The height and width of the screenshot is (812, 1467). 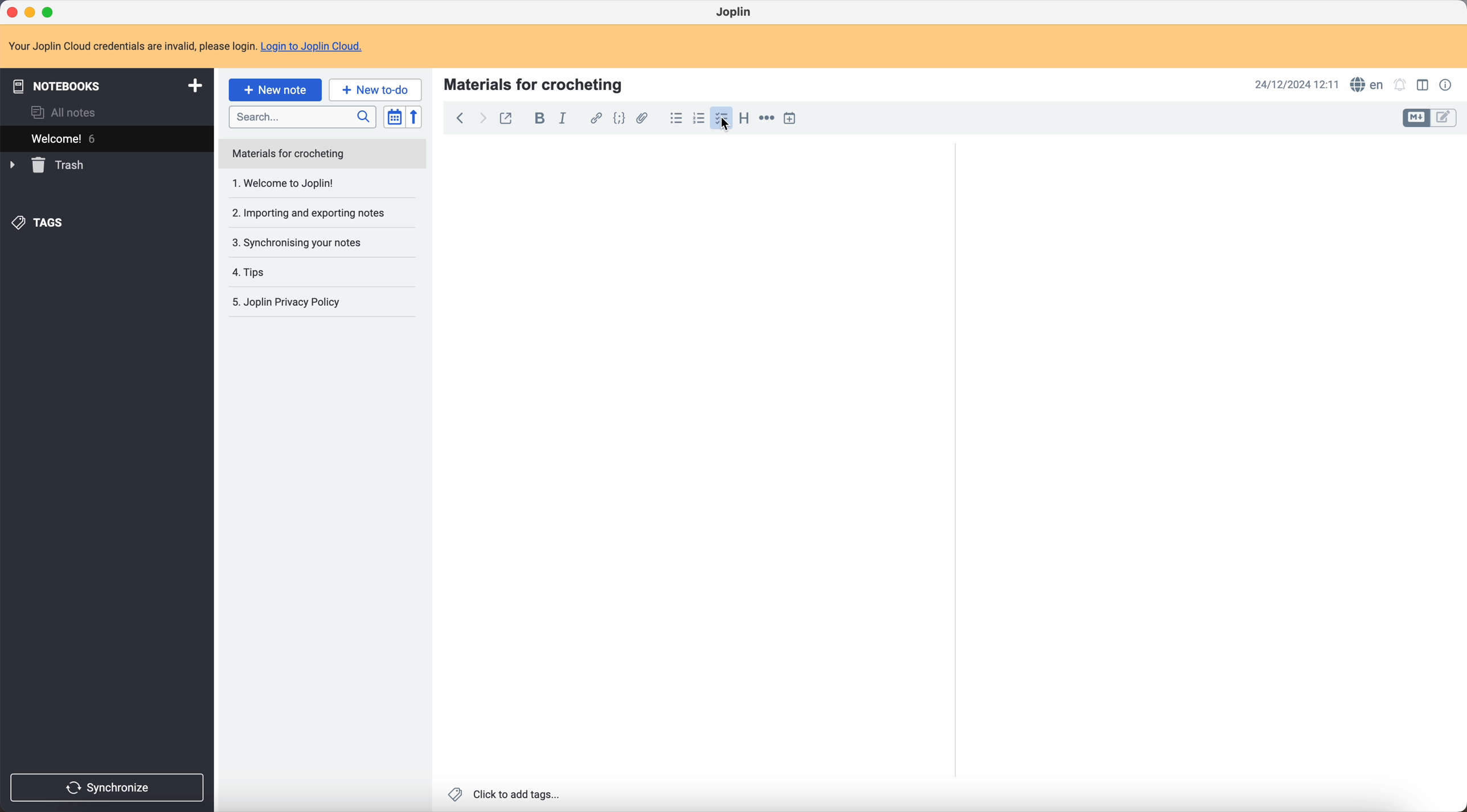 I want to click on insert time, so click(x=792, y=118).